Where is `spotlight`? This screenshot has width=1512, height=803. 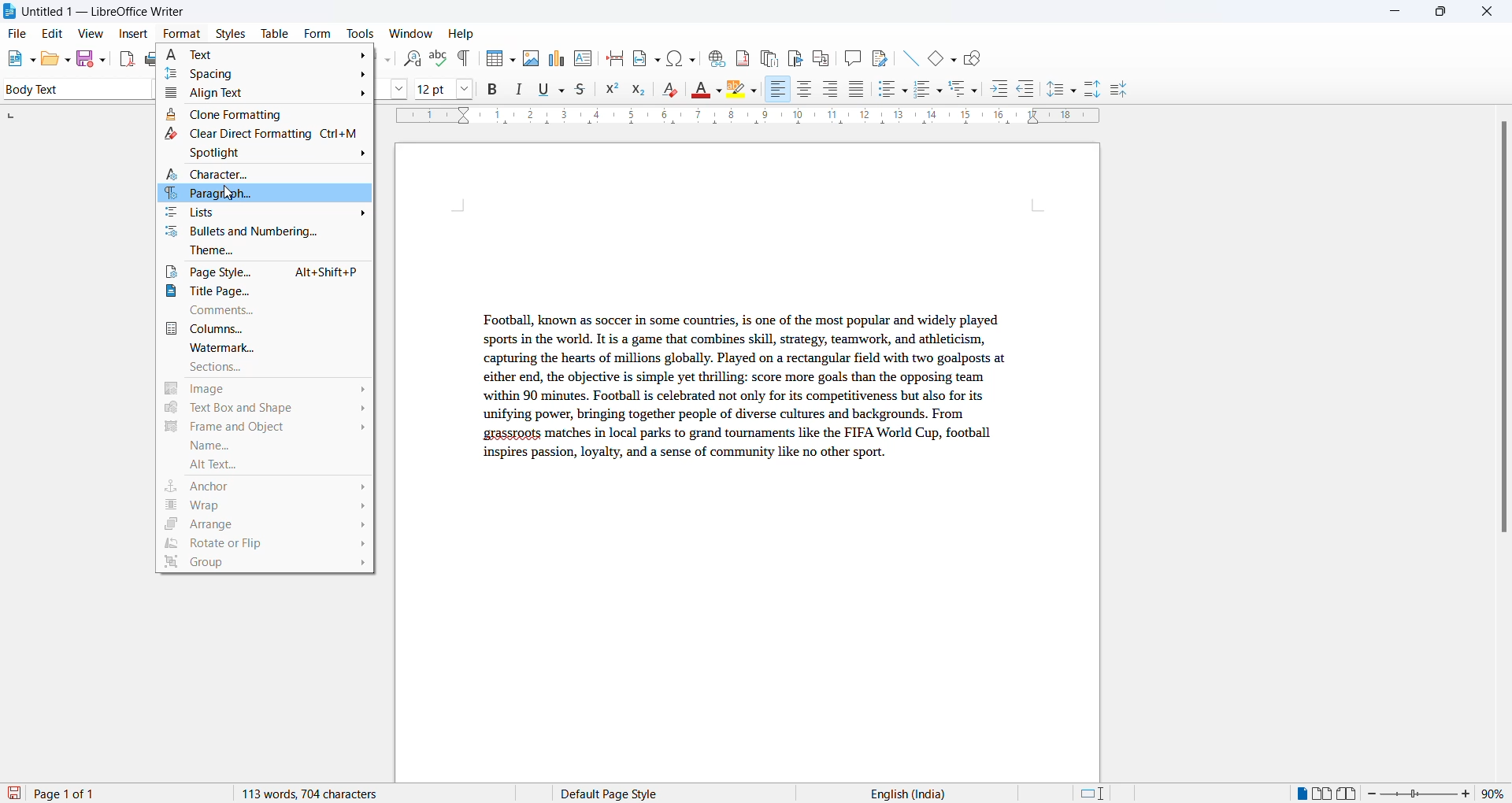
spotlight is located at coordinates (263, 156).